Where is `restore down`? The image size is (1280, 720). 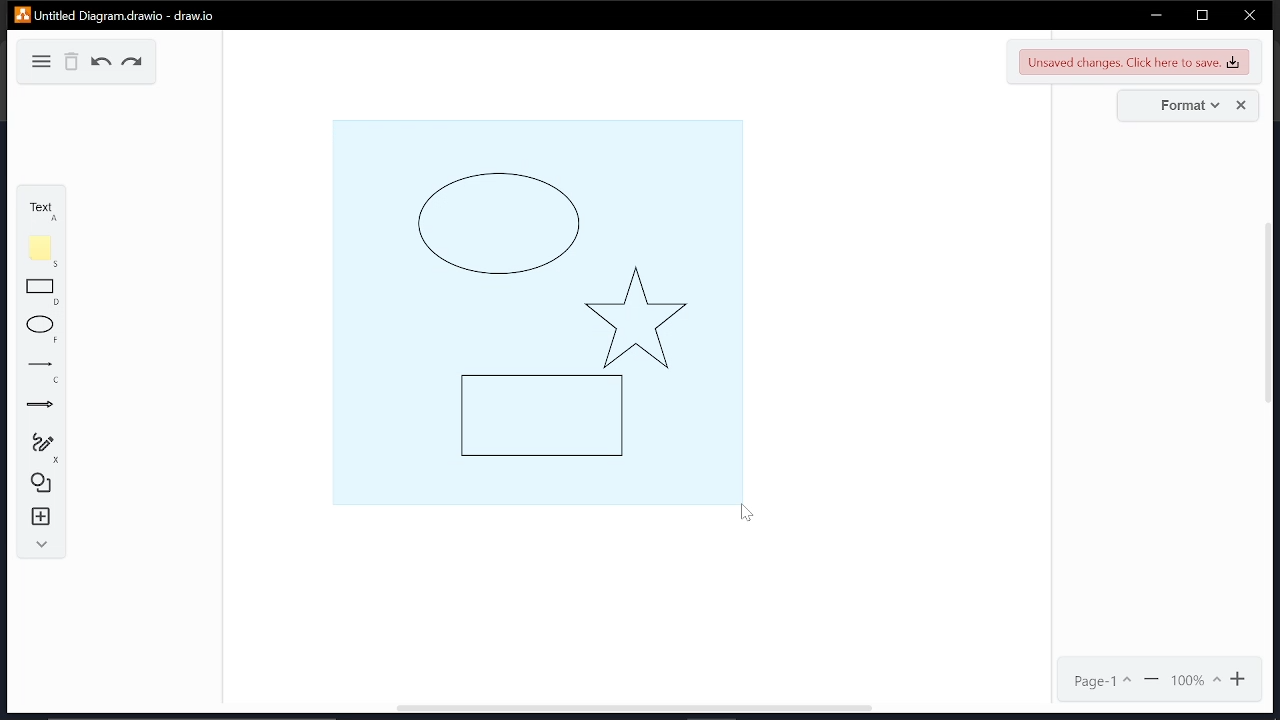
restore down is located at coordinates (1202, 15).